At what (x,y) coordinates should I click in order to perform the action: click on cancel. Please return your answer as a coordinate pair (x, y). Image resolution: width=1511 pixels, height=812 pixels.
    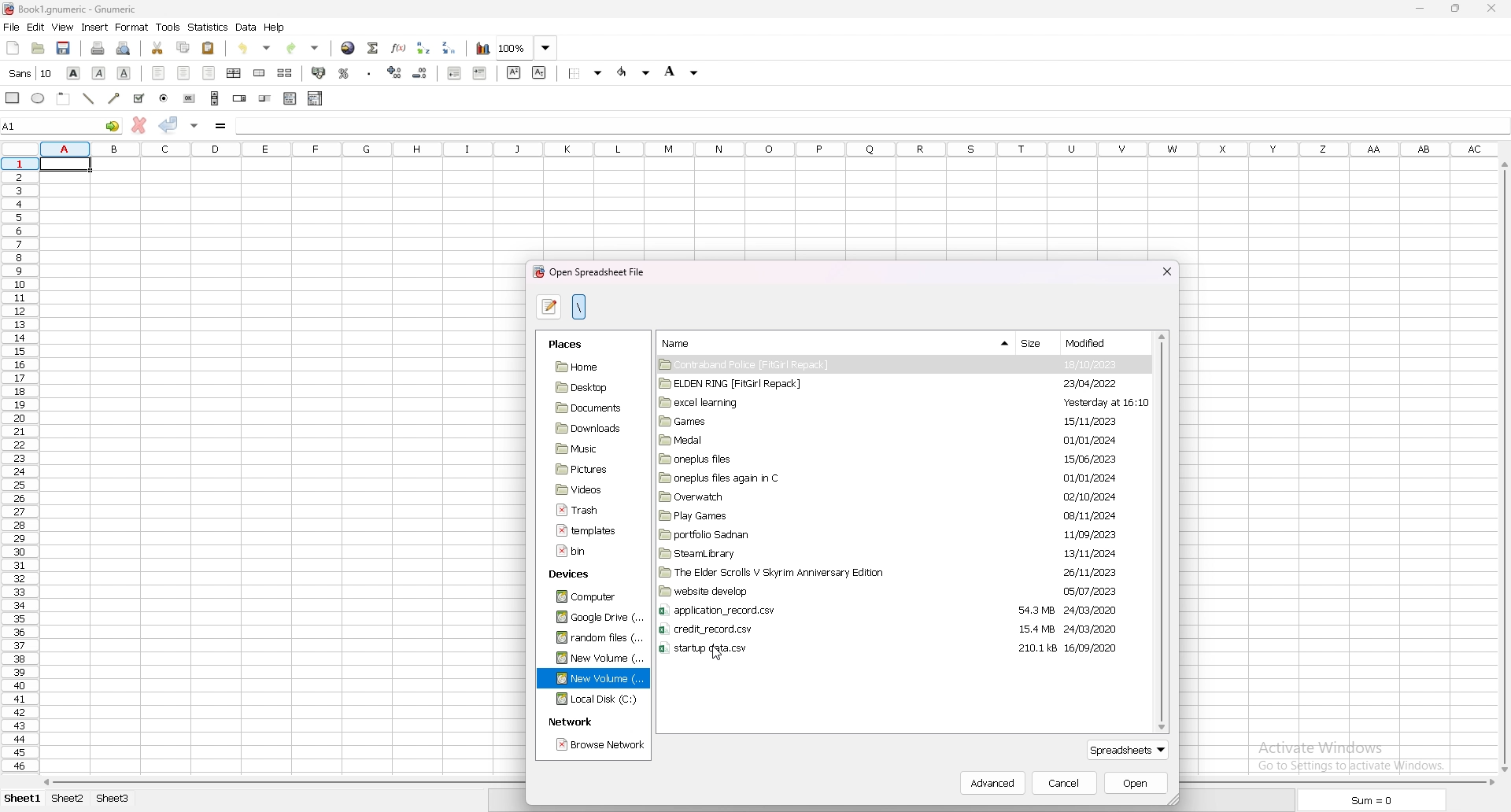
    Looking at the image, I should click on (1066, 783).